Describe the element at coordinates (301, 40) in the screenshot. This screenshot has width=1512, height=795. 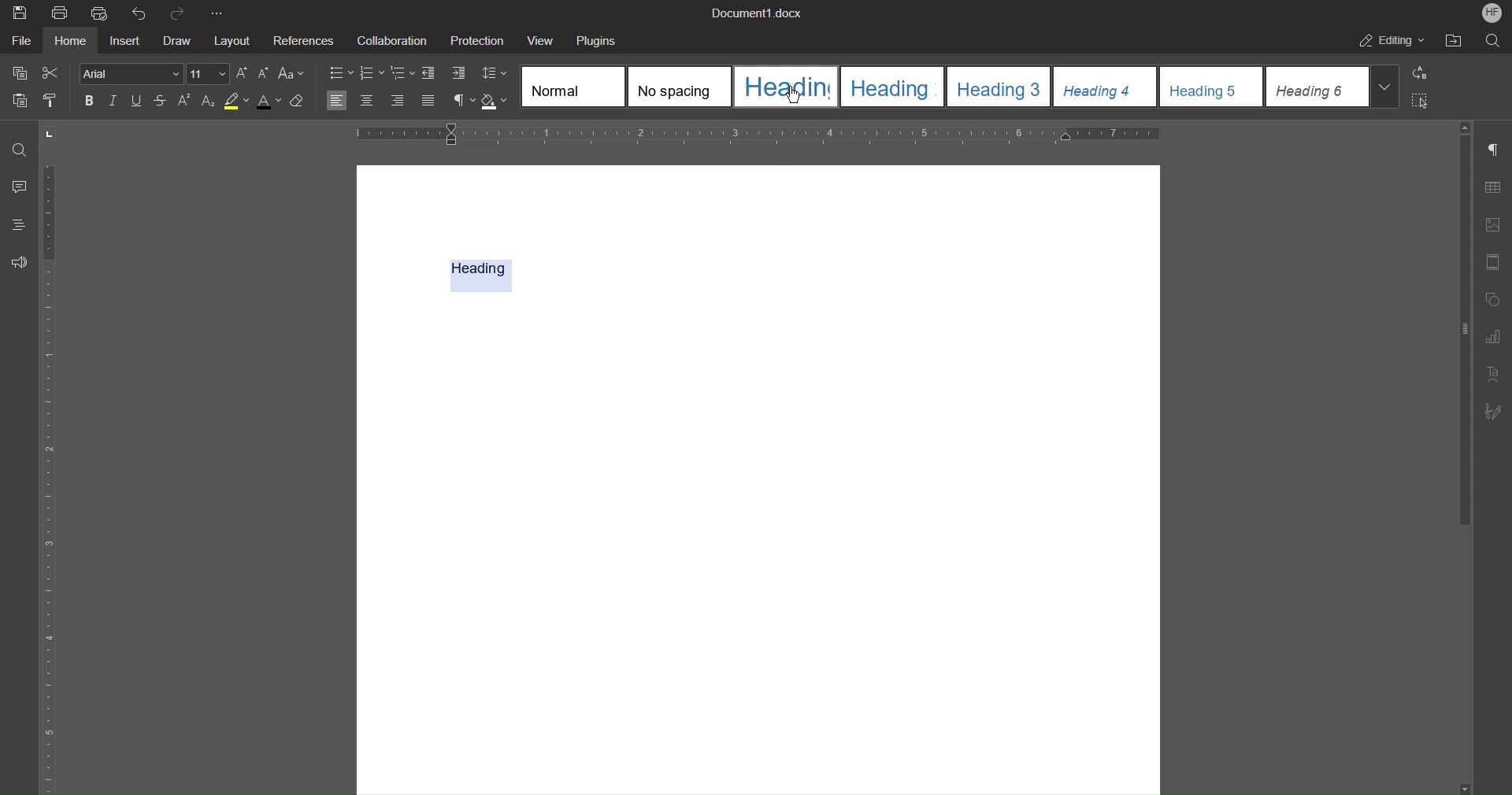
I see `References` at that location.